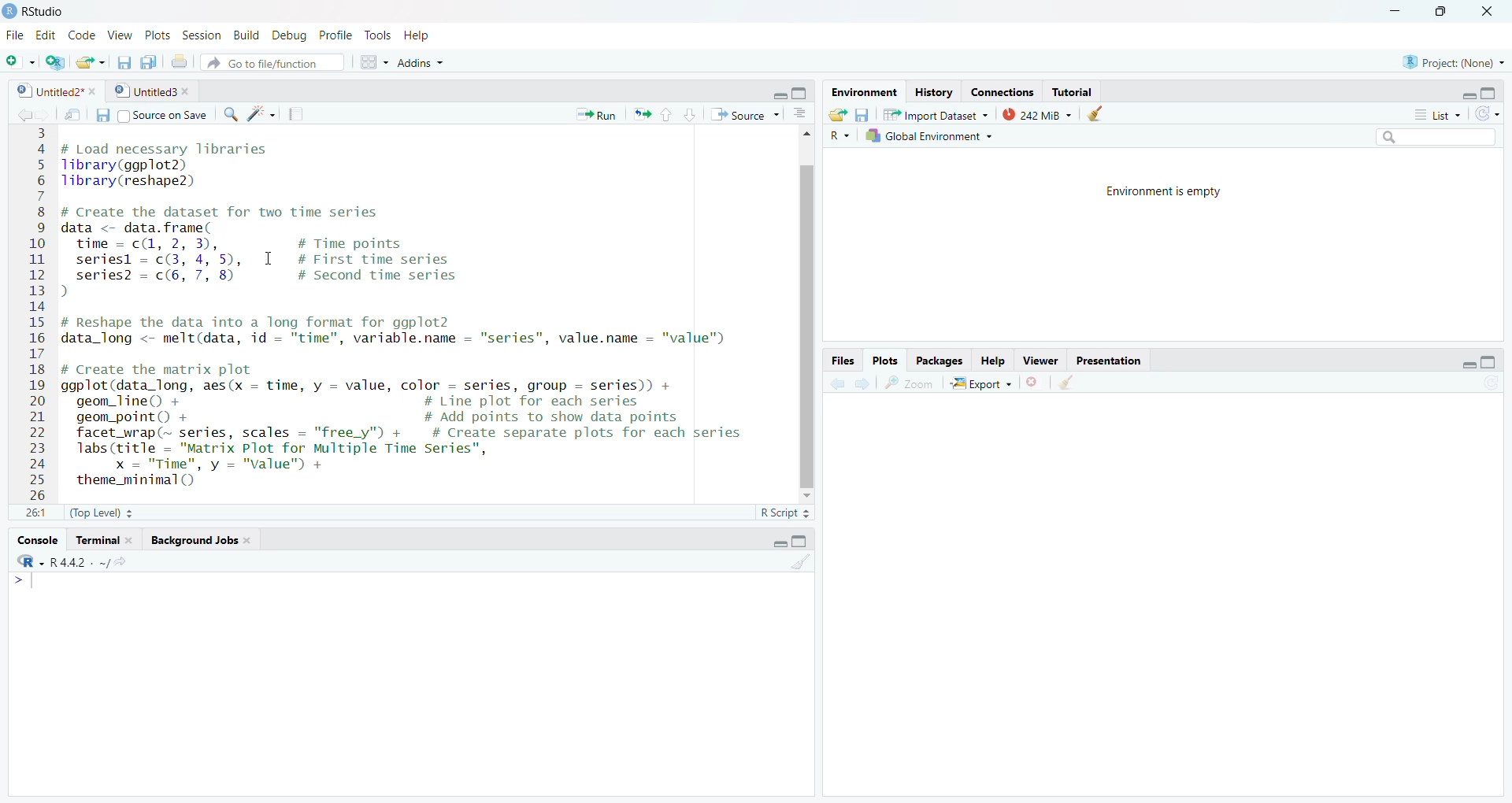 Image resolution: width=1512 pixels, height=803 pixels. What do you see at coordinates (11, 12) in the screenshot?
I see `logo` at bounding box center [11, 12].